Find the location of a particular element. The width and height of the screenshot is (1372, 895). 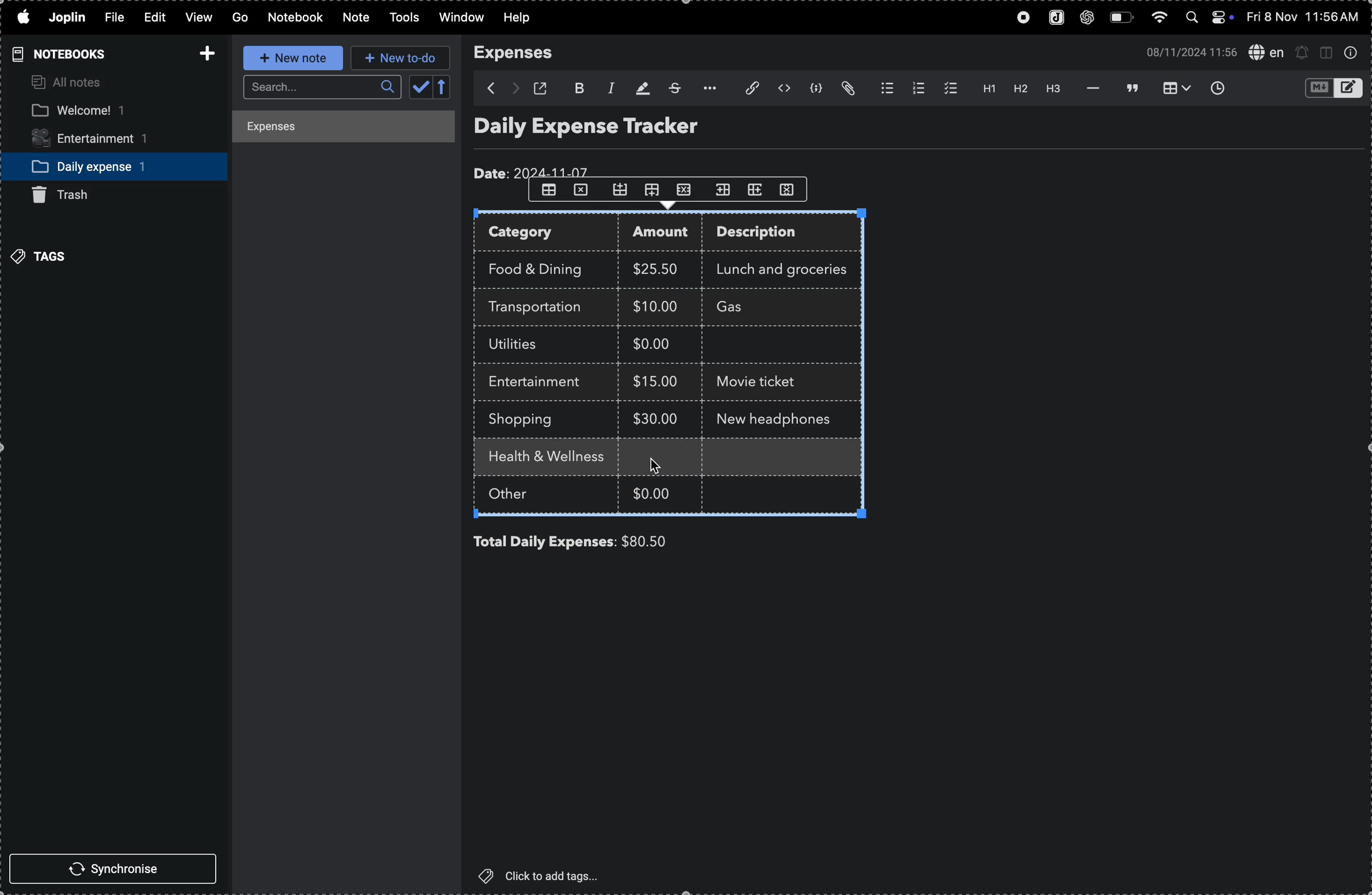

click to add tags is located at coordinates (546, 875).